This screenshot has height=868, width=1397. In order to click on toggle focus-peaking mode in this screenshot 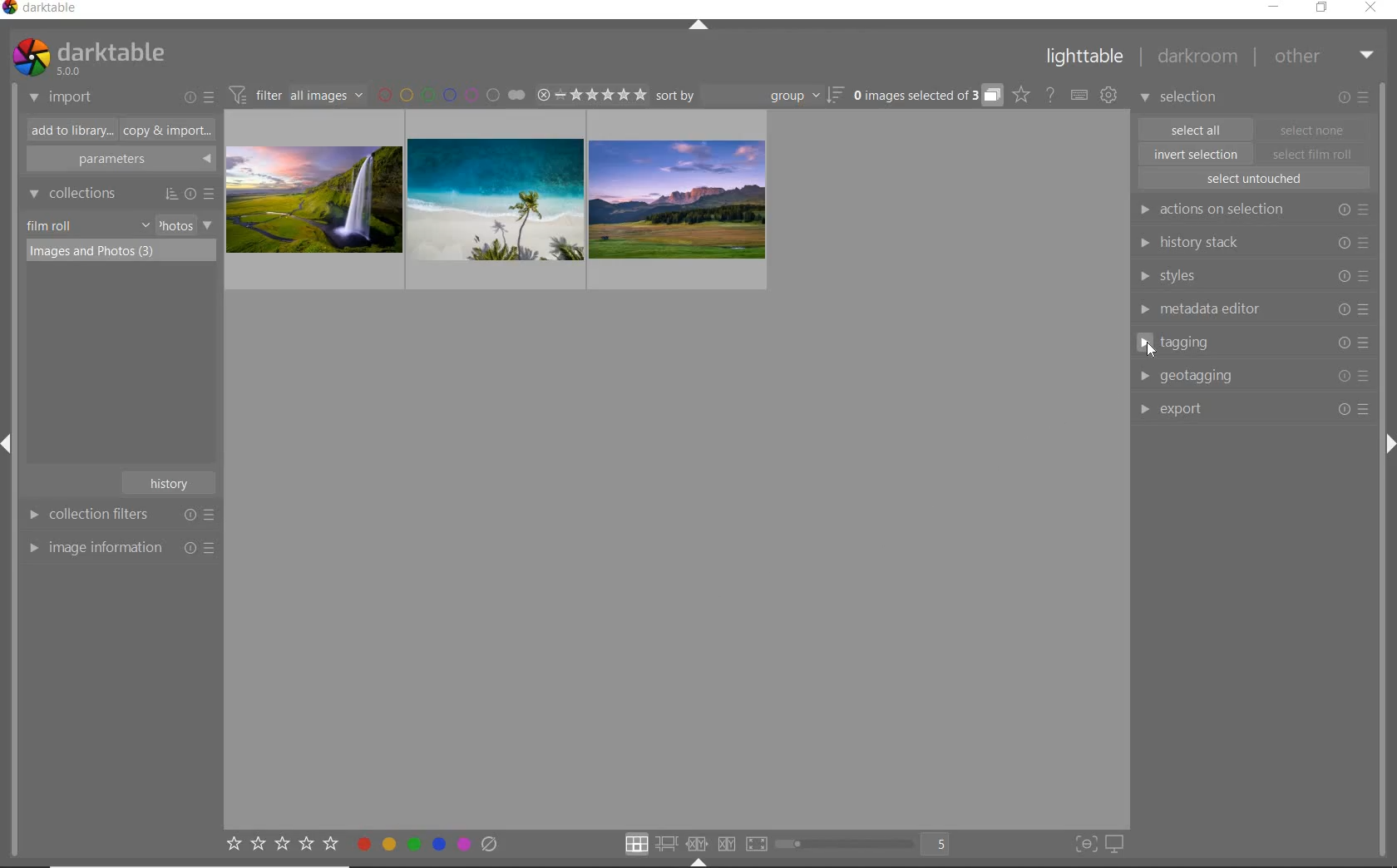, I will do `click(1084, 842)`.